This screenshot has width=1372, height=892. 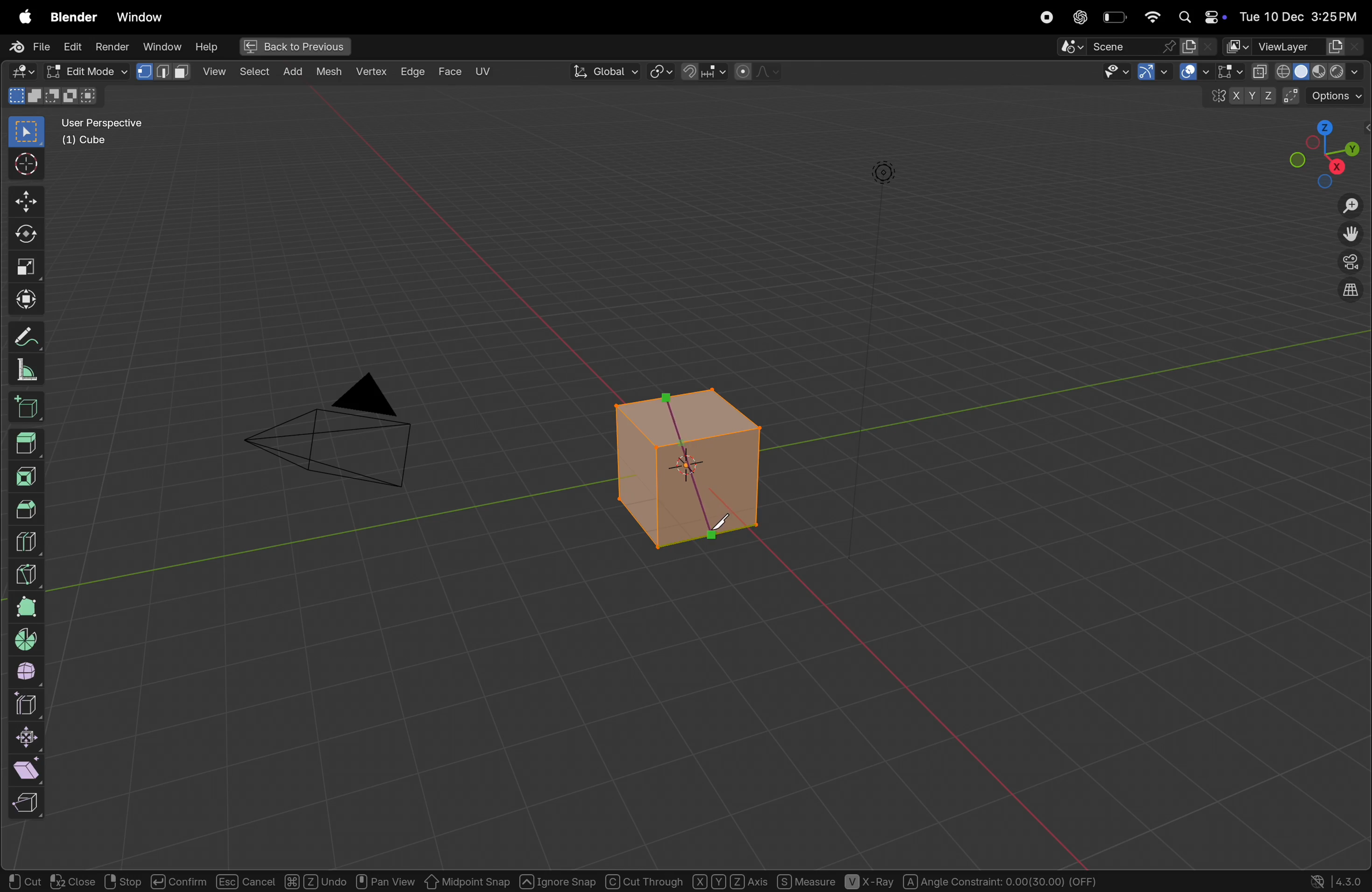 I want to click on object mode, so click(x=84, y=70).